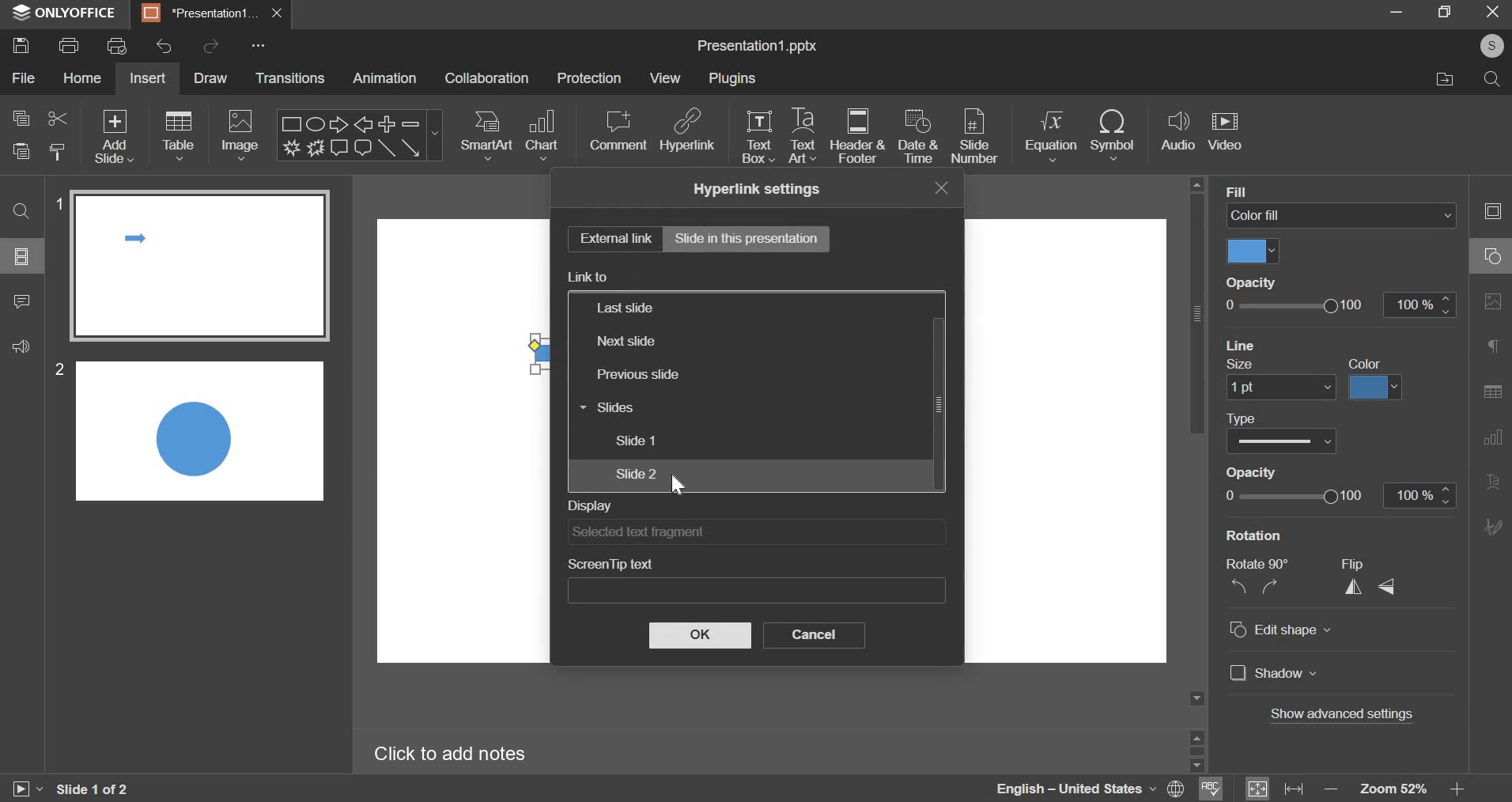 The height and width of the screenshot is (802, 1512). I want to click on Rounded Rectangular callout, so click(363, 148).